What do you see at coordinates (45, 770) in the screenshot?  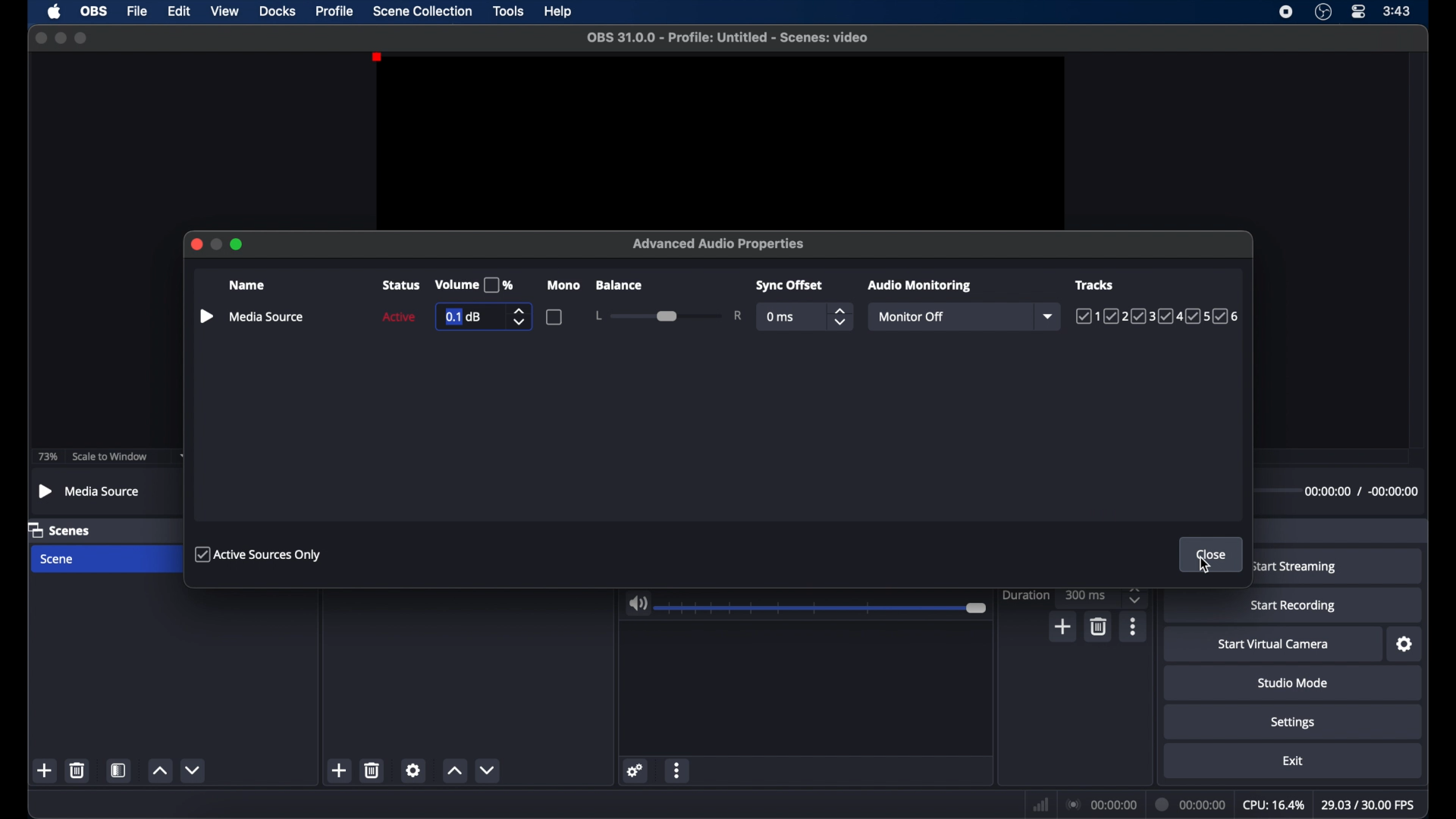 I see `add` at bounding box center [45, 770].